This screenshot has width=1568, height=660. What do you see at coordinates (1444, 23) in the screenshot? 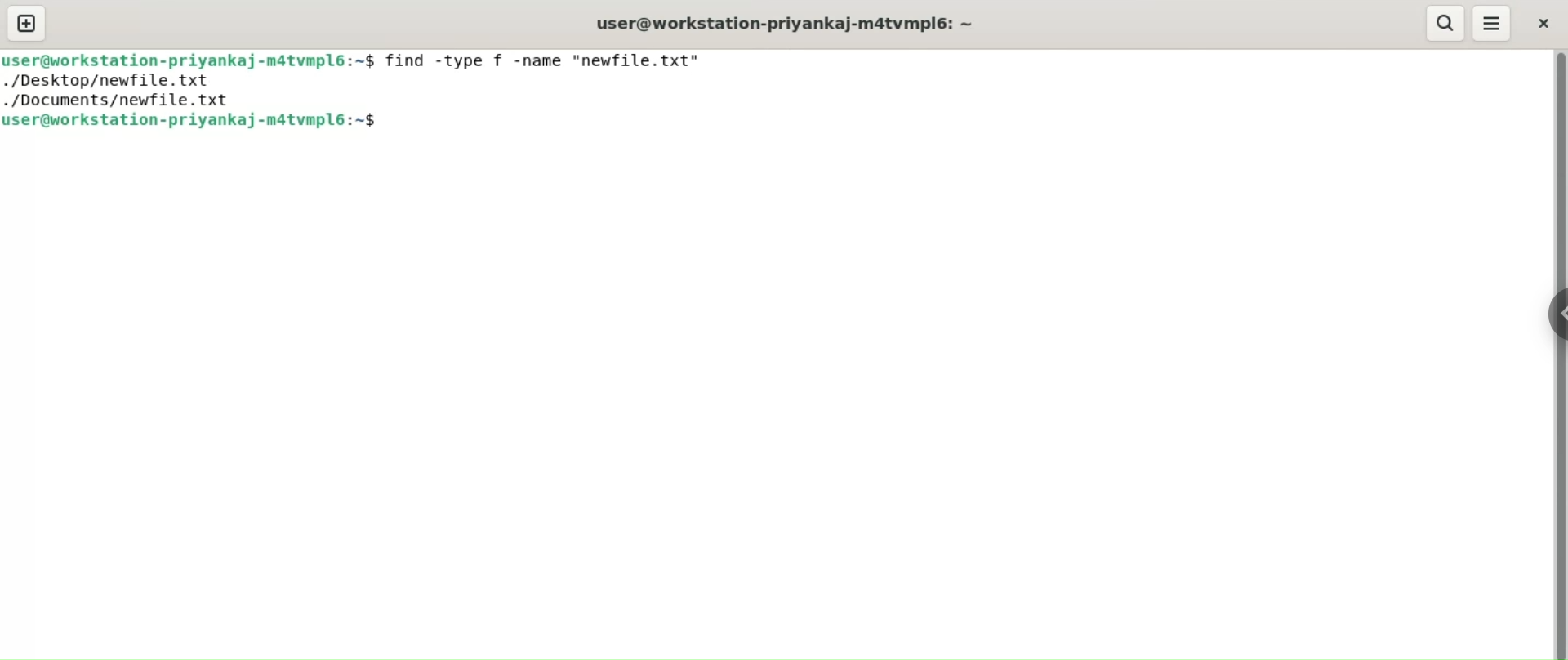
I see `search` at bounding box center [1444, 23].